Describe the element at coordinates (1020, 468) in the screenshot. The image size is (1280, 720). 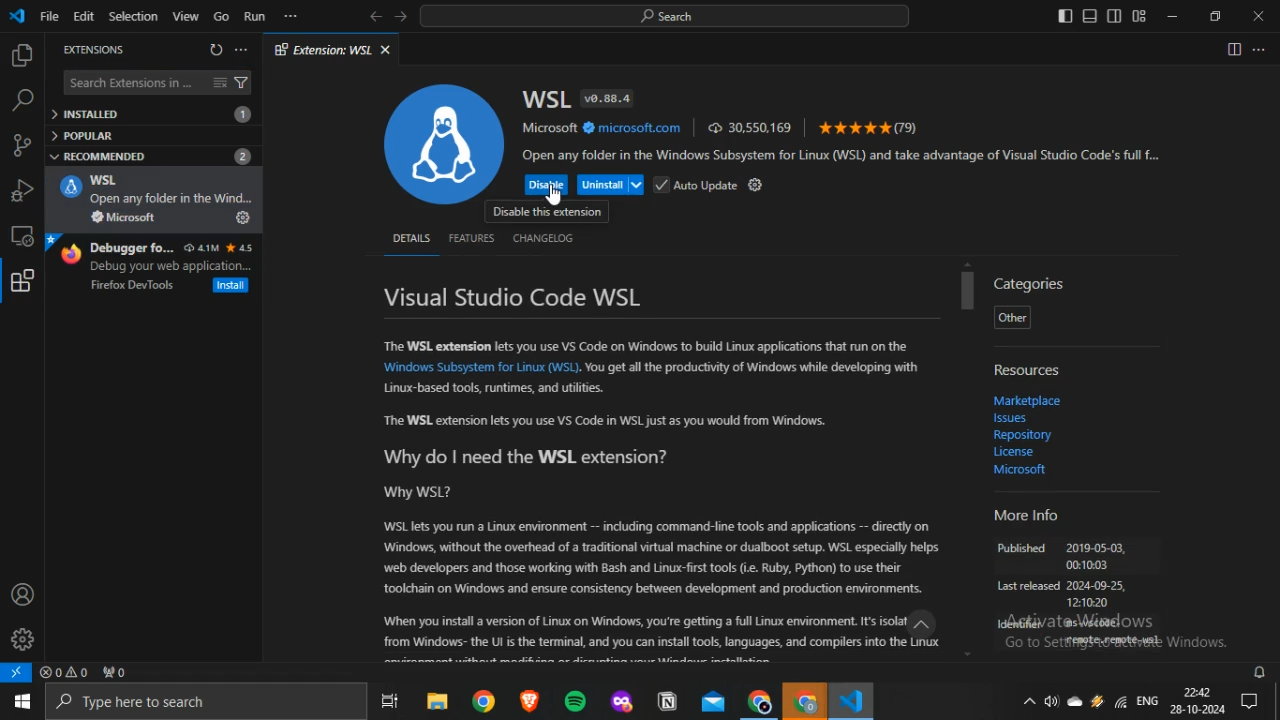
I see `Microsoft` at that location.